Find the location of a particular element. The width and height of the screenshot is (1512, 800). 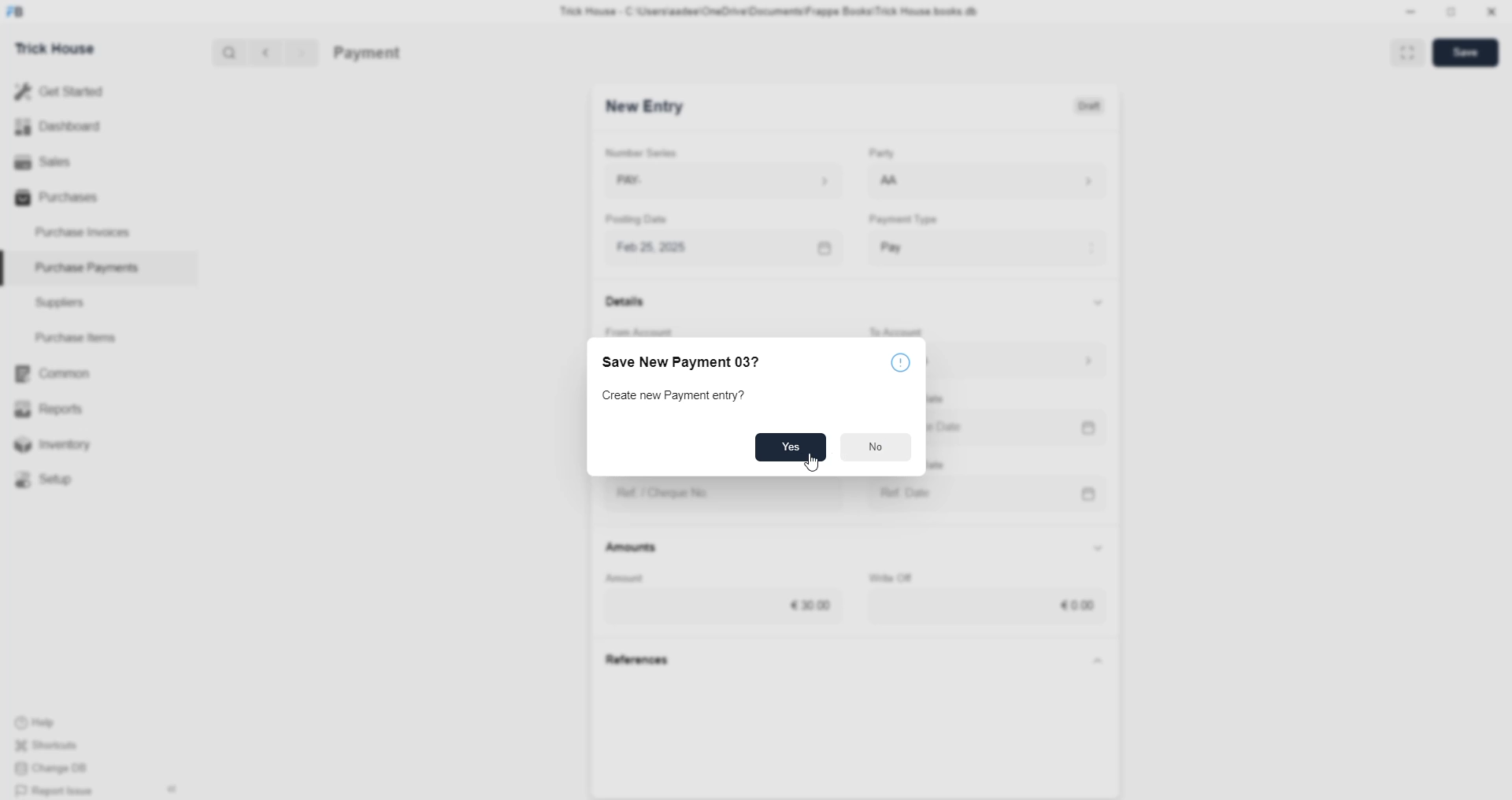

Save New Payment 03? is located at coordinates (687, 361).